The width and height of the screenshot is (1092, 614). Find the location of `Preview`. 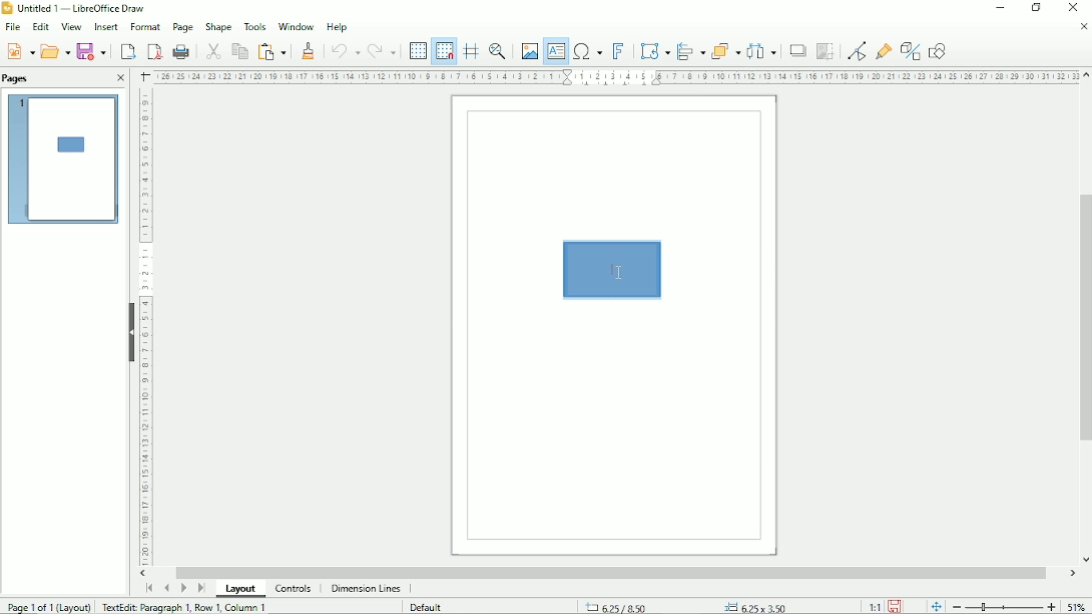

Preview is located at coordinates (63, 160).